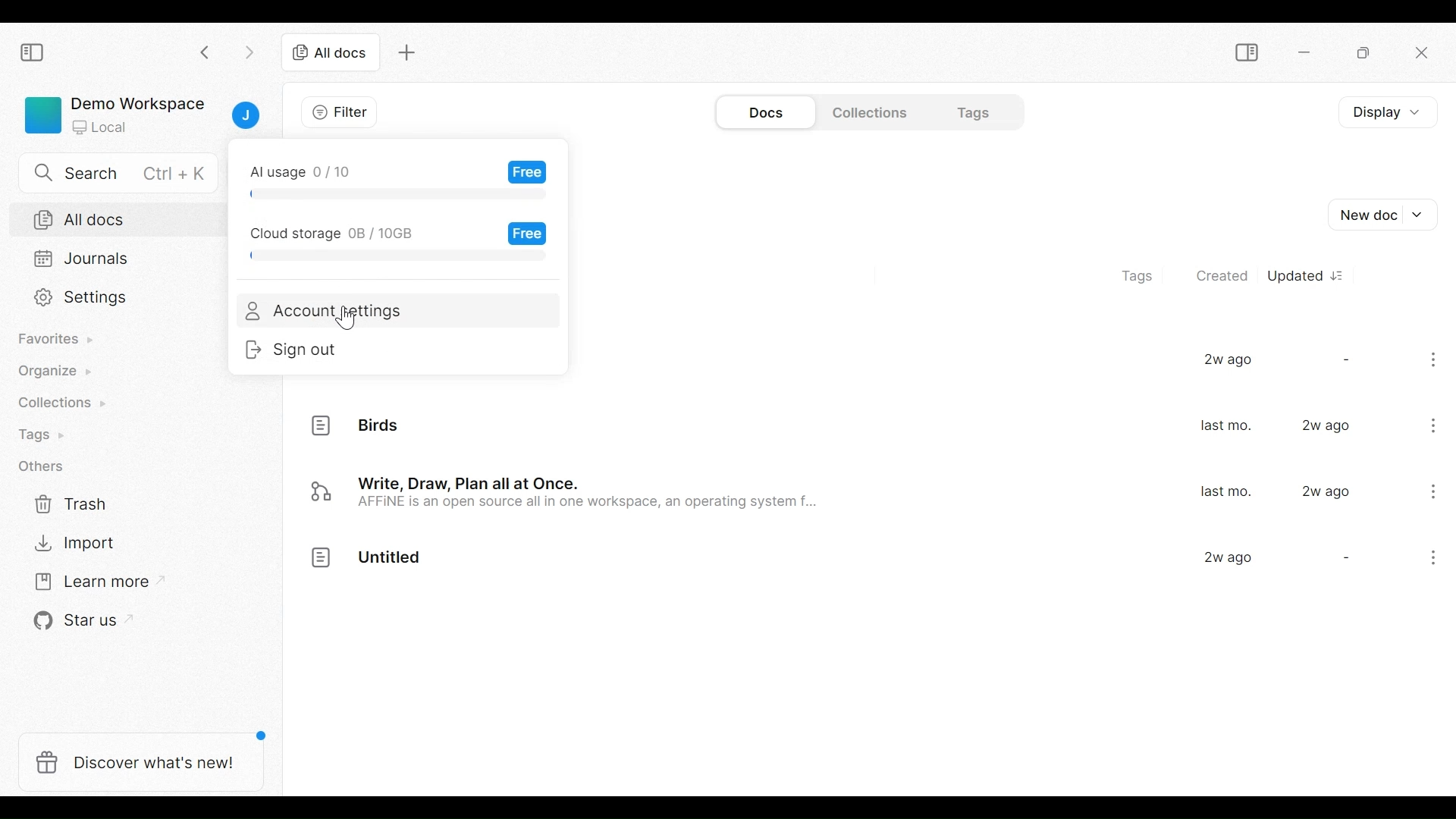  I want to click on Display, so click(1384, 112).